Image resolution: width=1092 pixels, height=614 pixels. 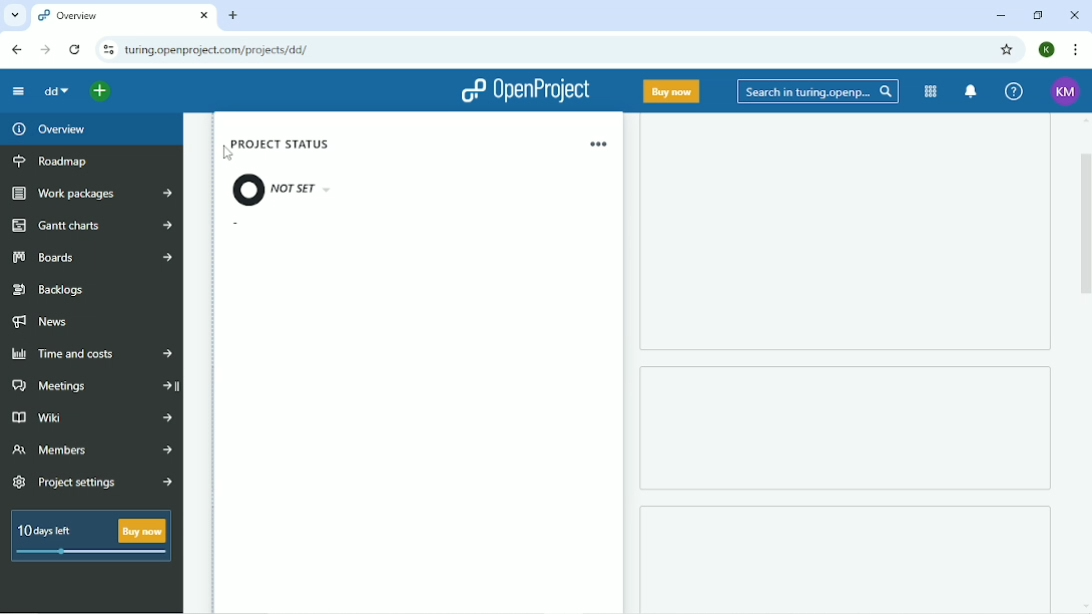 I want to click on Modules, so click(x=931, y=92).